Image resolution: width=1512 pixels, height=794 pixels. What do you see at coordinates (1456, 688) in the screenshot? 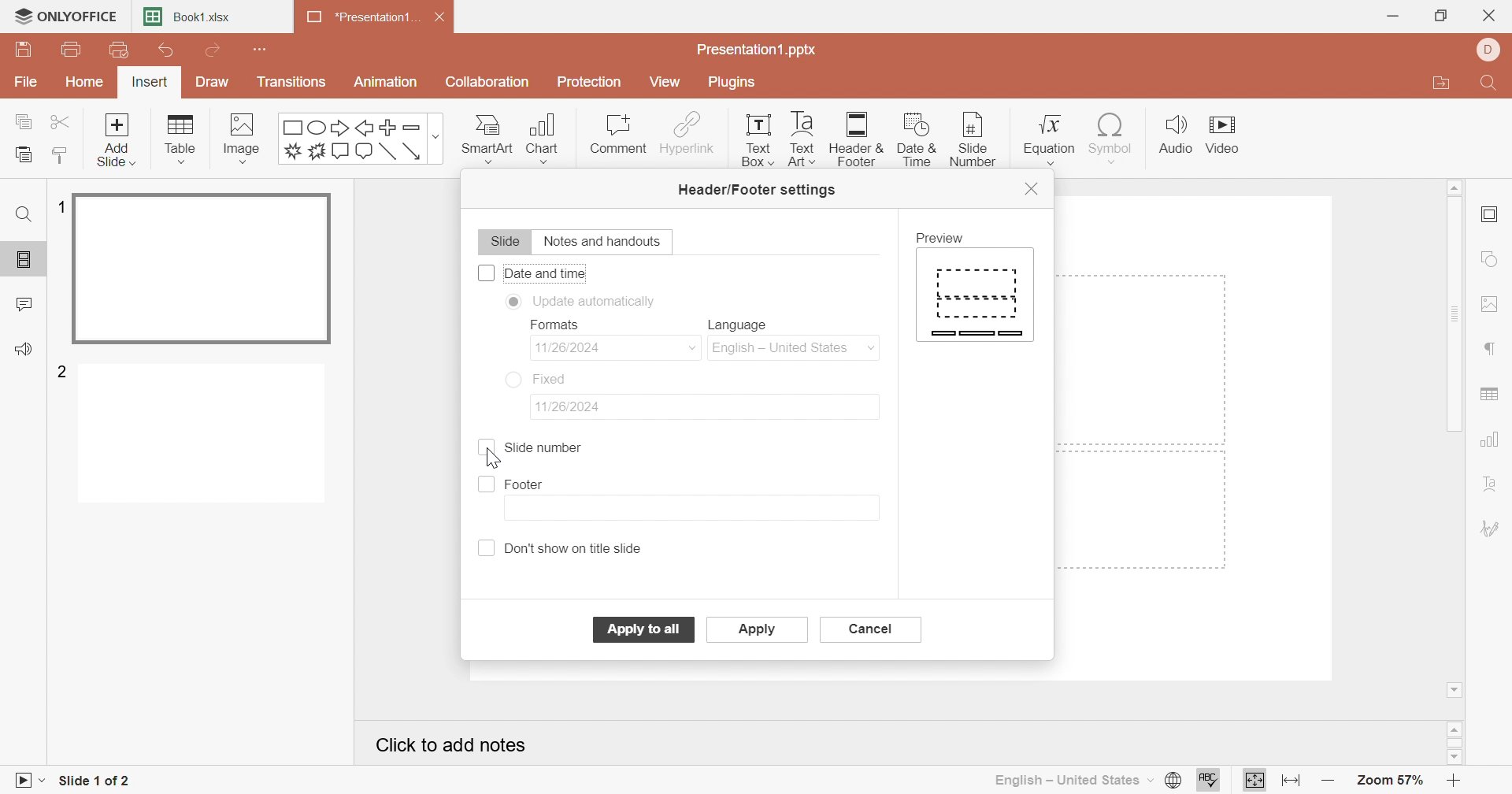
I see `Scroll Down` at bounding box center [1456, 688].